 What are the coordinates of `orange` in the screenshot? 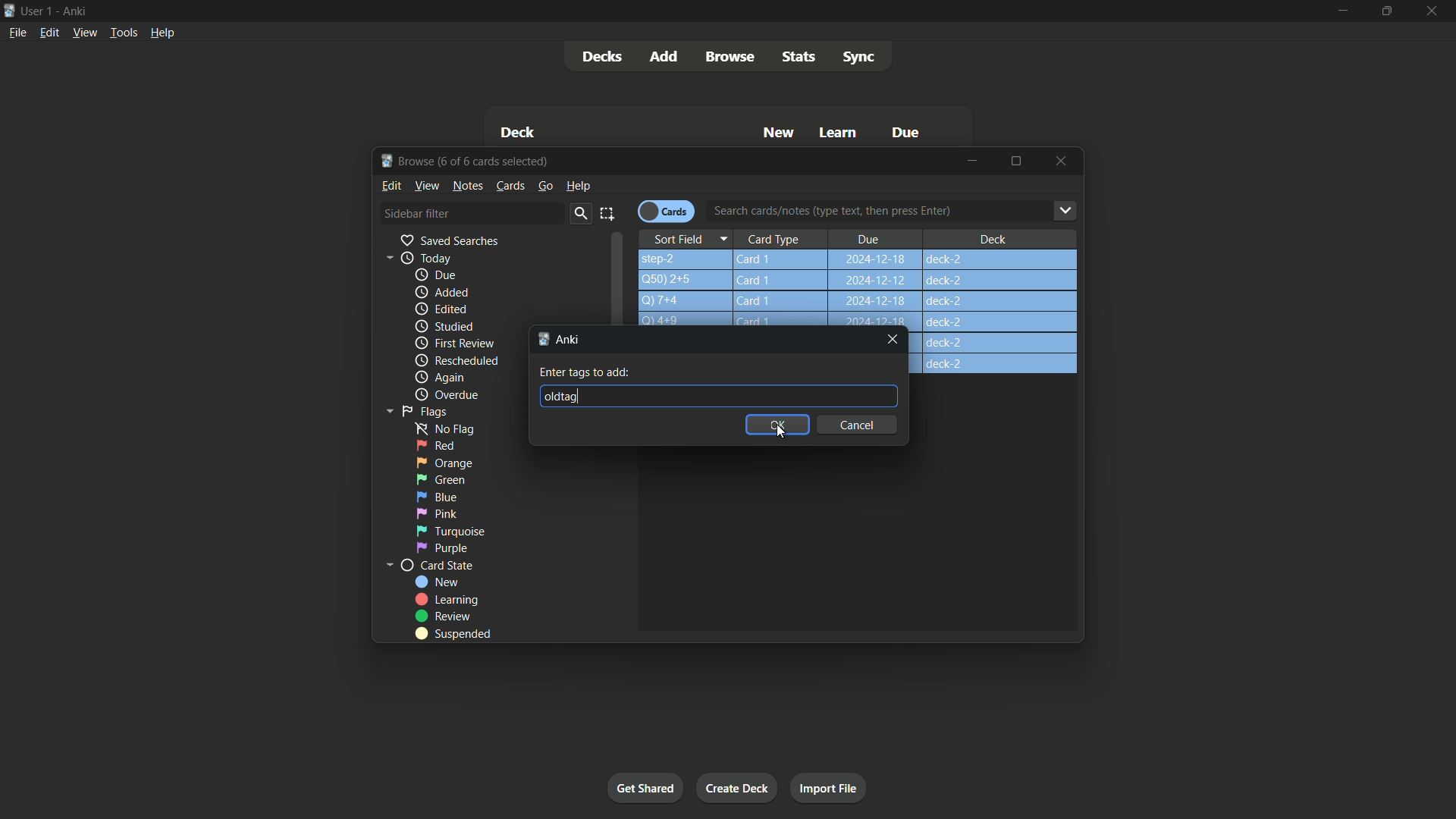 It's located at (445, 462).